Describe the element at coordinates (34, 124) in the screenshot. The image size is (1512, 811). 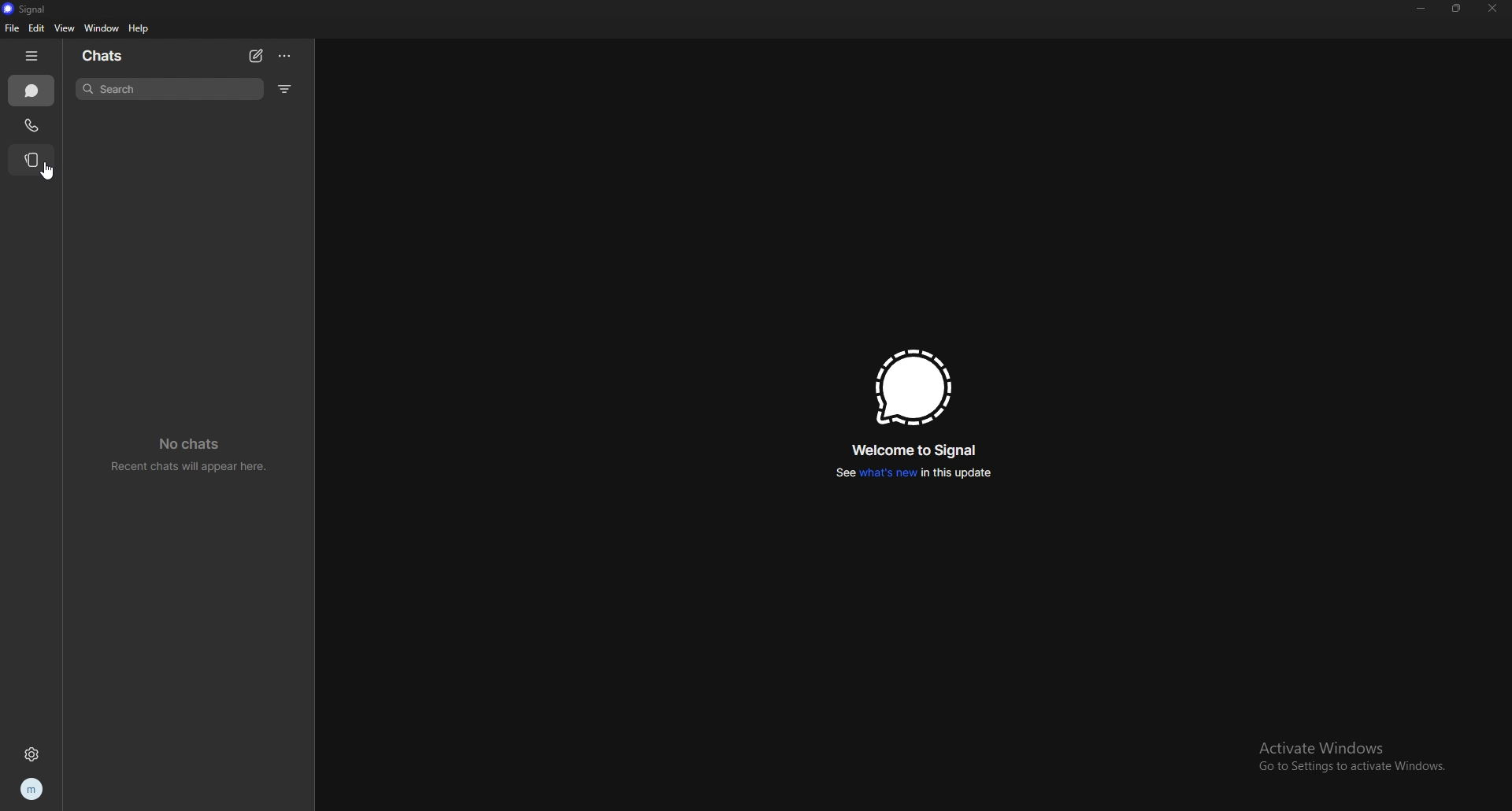
I see `calls` at that location.